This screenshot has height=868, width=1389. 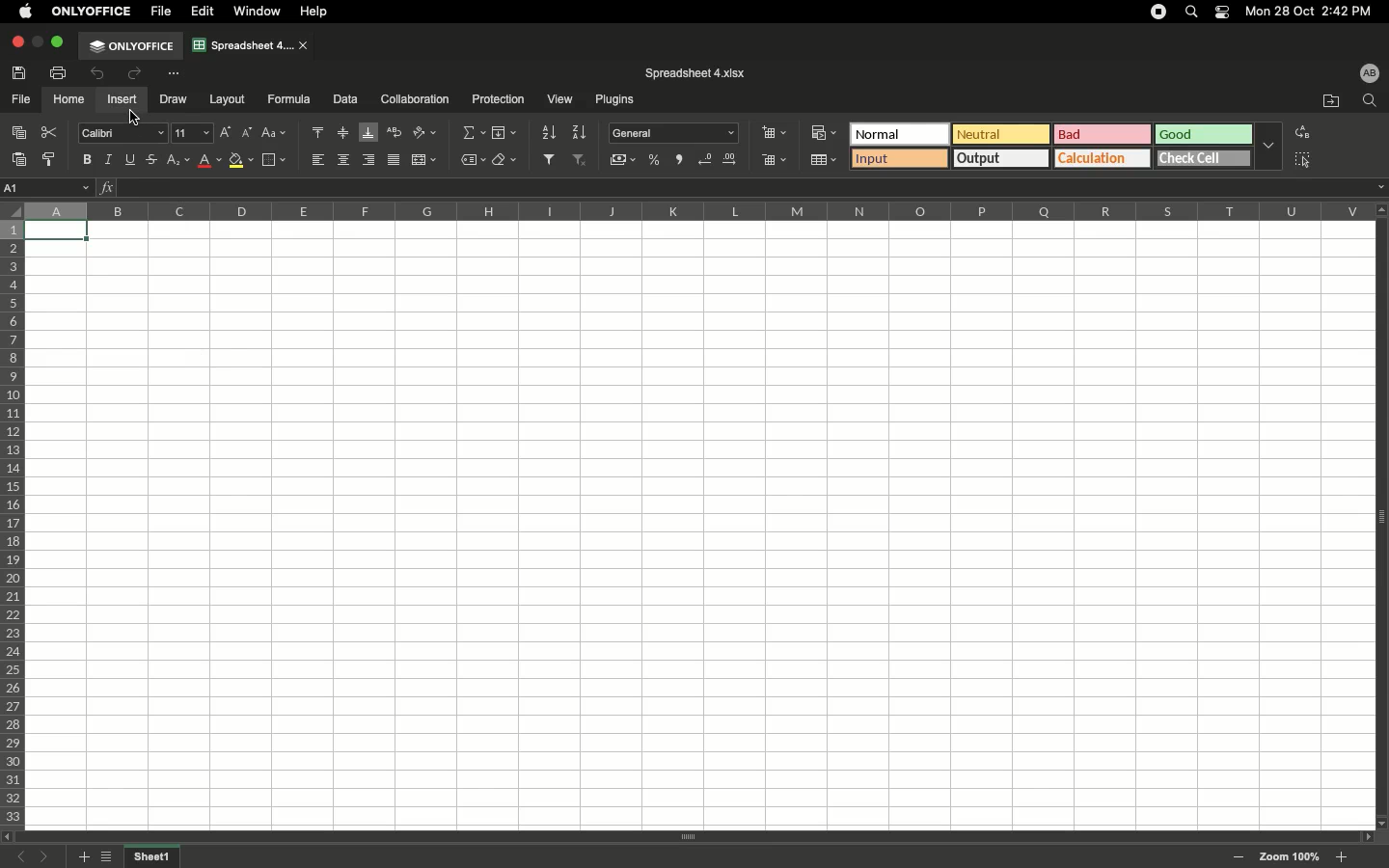 What do you see at coordinates (471, 160) in the screenshot?
I see `Named ranges` at bounding box center [471, 160].